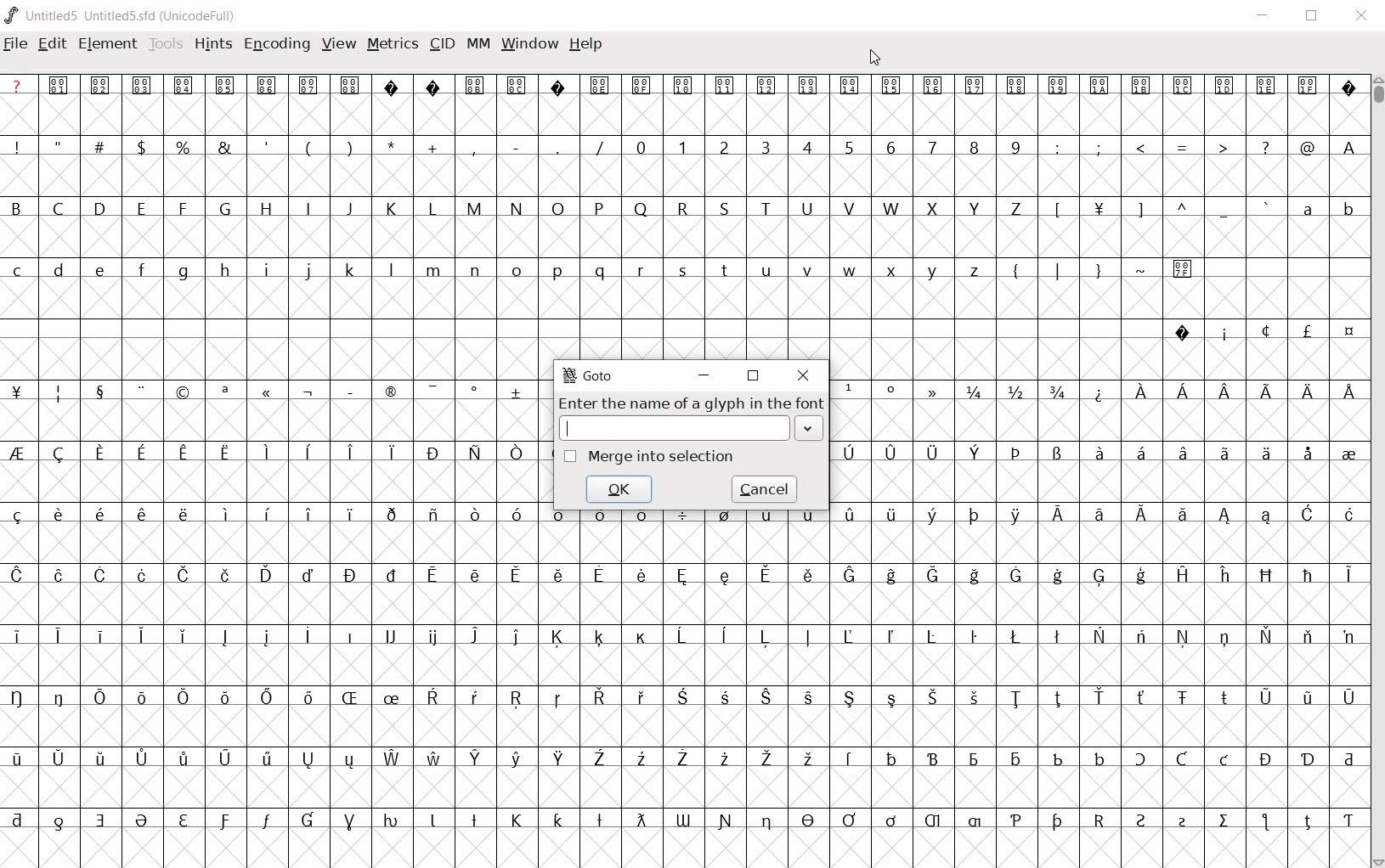 This screenshot has height=868, width=1385. What do you see at coordinates (681, 699) in the screenshot?
I see `Symbol` at bounding box center [681, 699].